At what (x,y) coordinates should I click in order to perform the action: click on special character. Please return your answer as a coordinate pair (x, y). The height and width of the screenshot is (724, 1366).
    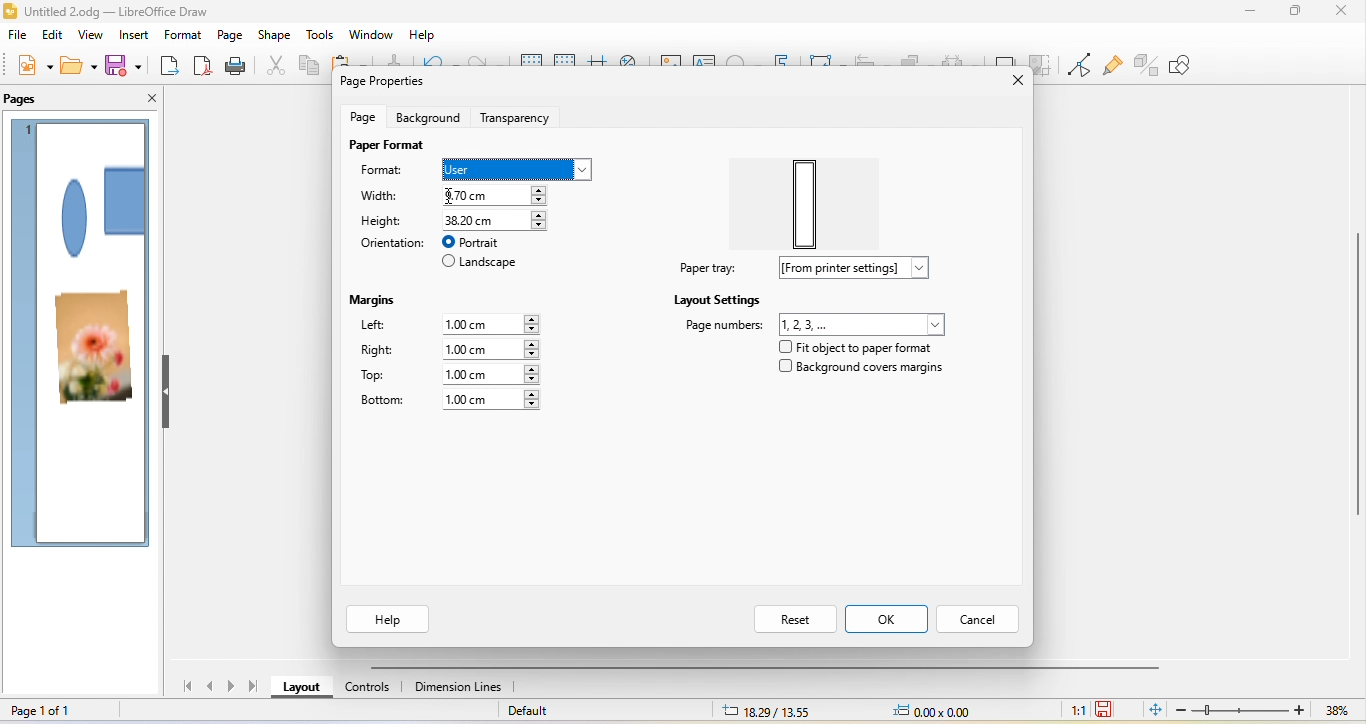
    Looking at the image, I should click on (745, 61).